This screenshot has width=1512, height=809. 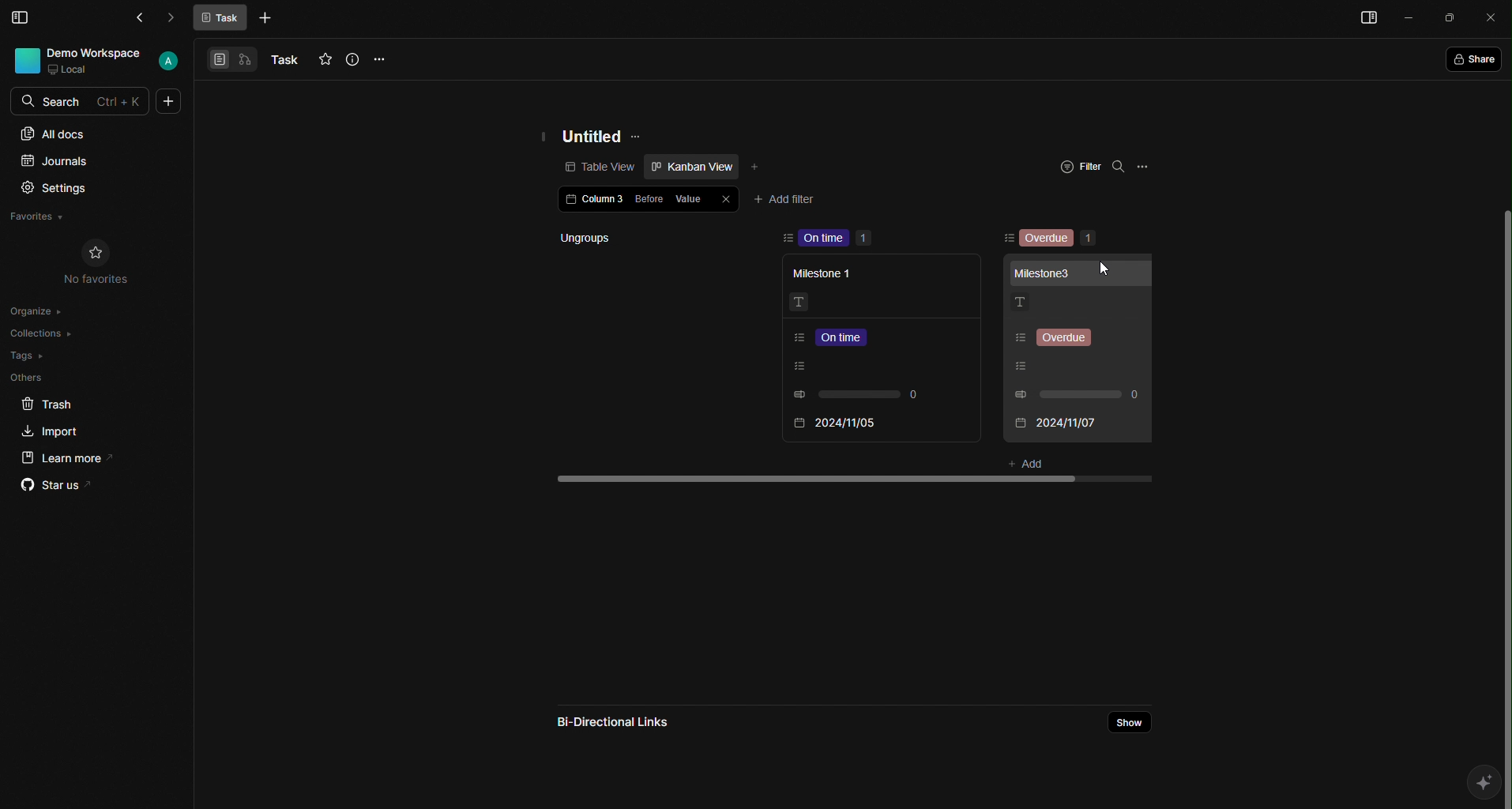 What do you see at coordinates (649, 198) in the screenshot?
I see `Before` at bounding box center [649, 198].